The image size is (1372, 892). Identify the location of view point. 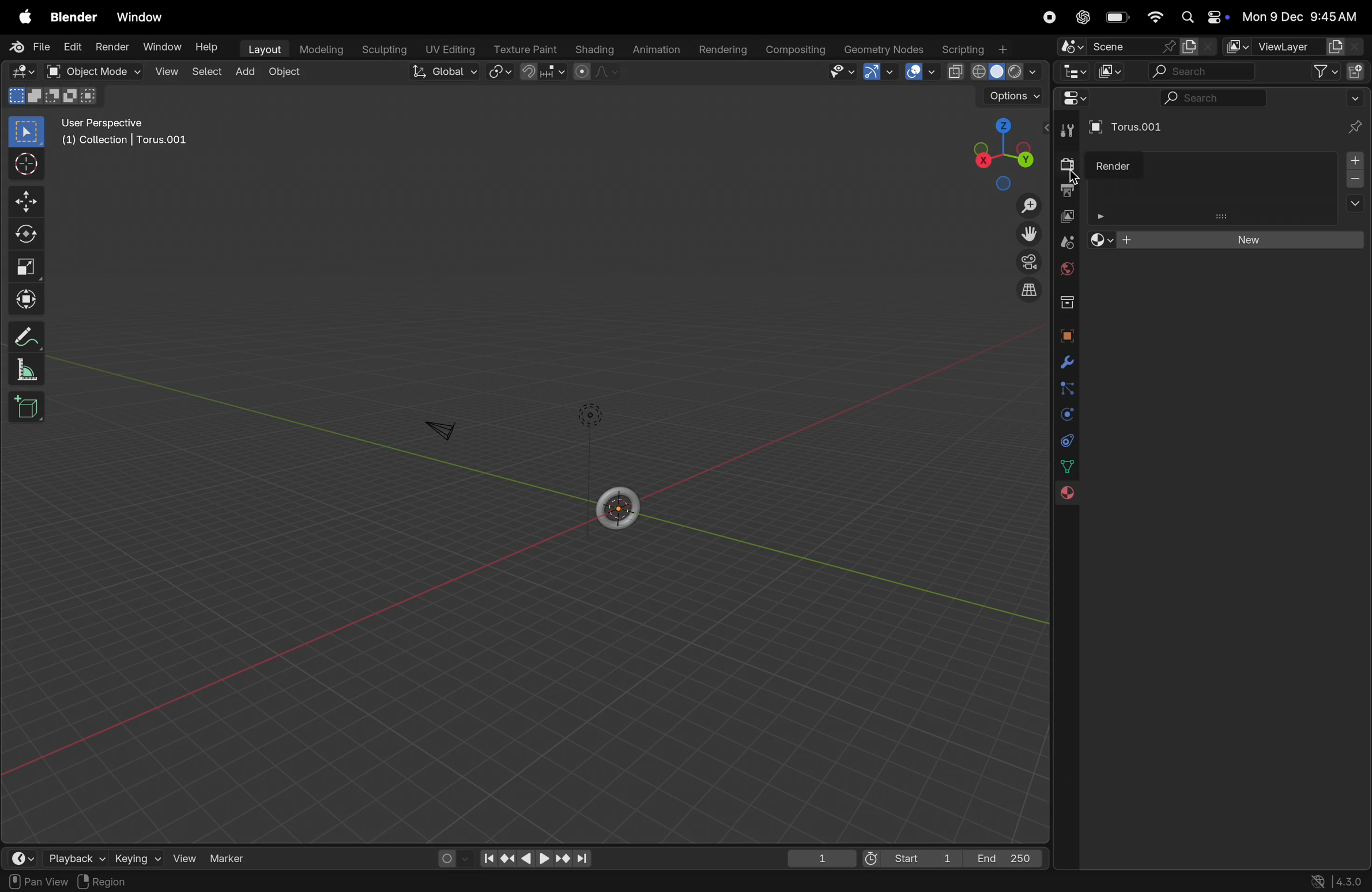
(1000, 150).